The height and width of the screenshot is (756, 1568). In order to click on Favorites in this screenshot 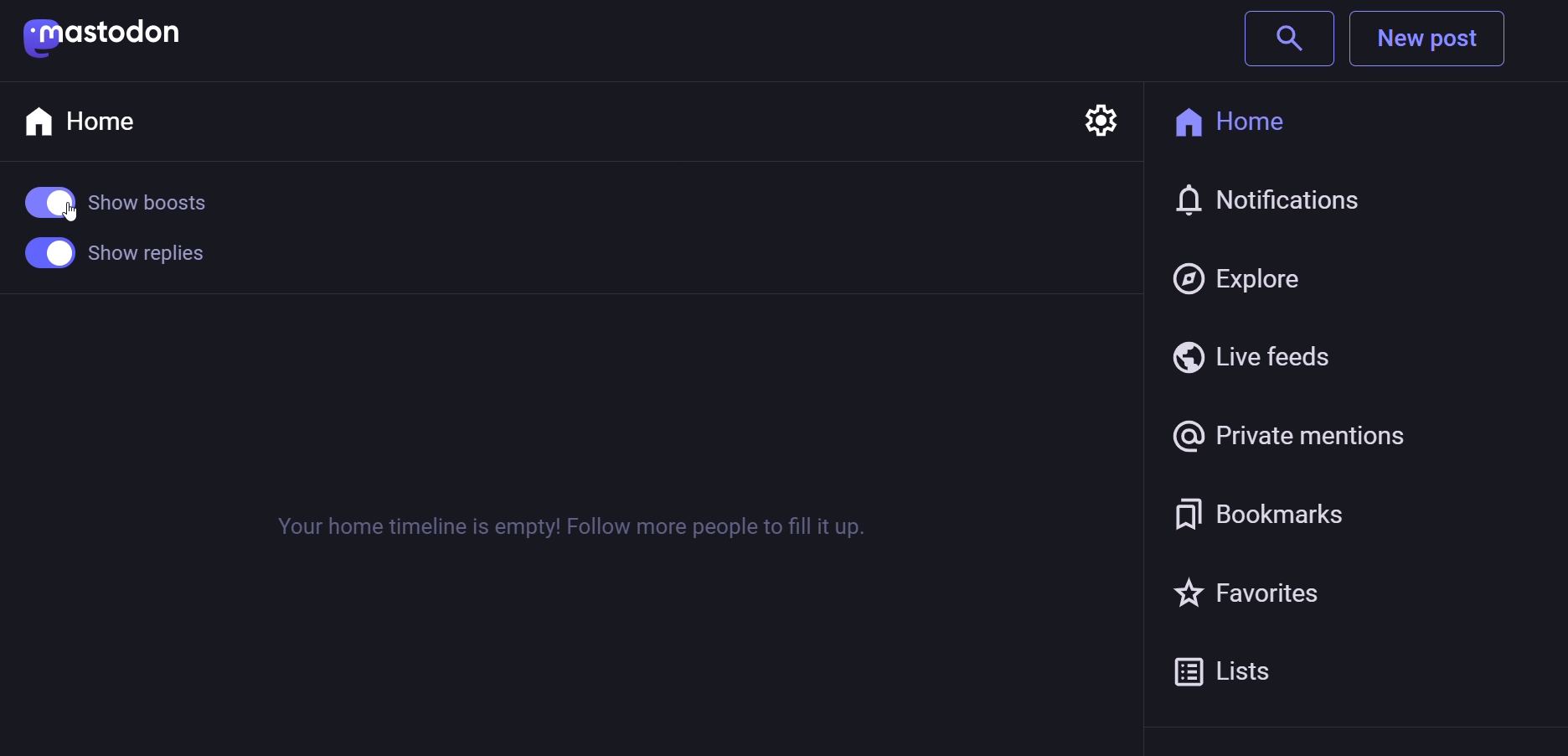, I will do `click(1274, 597)`.